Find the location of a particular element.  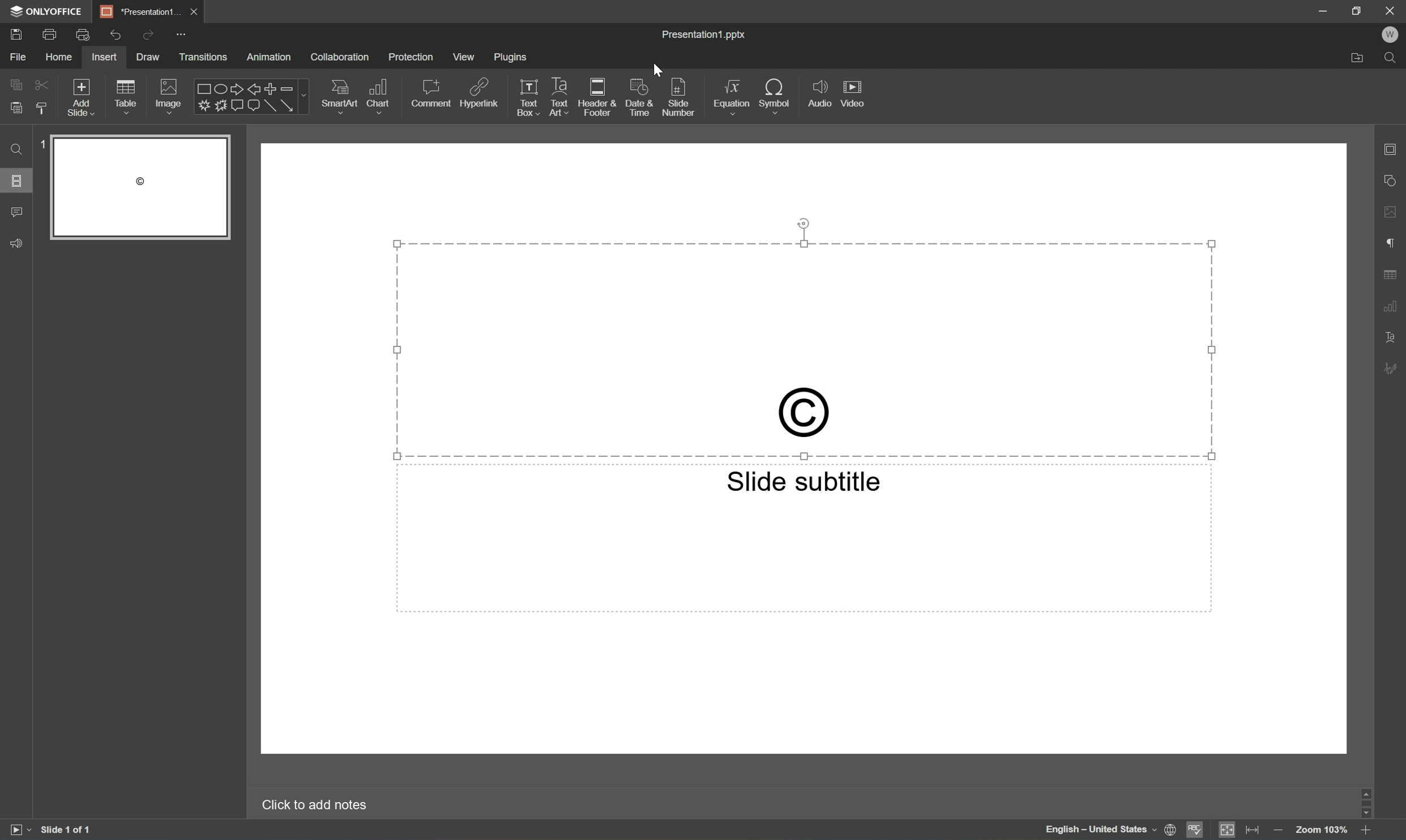

Audio is located at coordinates (818, 93).